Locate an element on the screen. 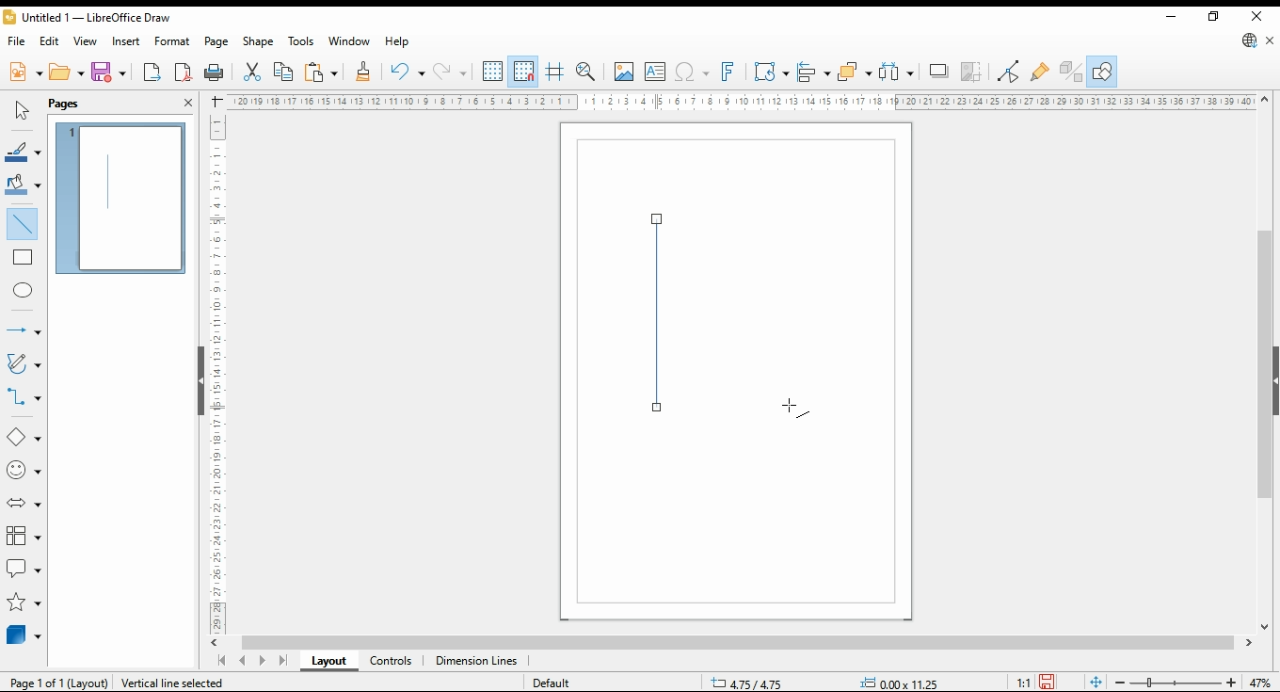 Image resolution: width=1280 pixels, height=692 pixels. page 1 is located at coordinates (123, 195).